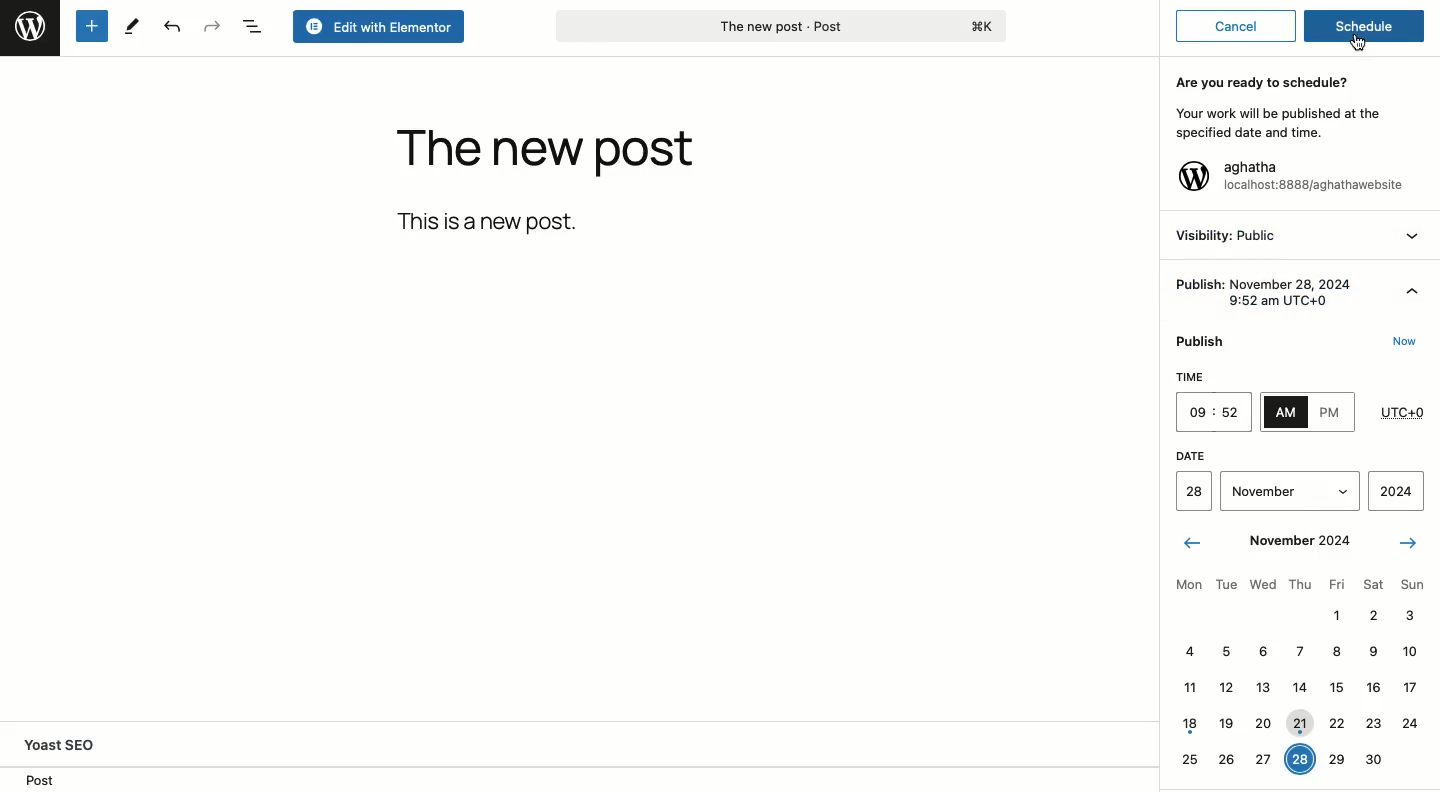  Describe the element at coordinates (1366, 28) in the screenshot. I see `Schedule` at that location.